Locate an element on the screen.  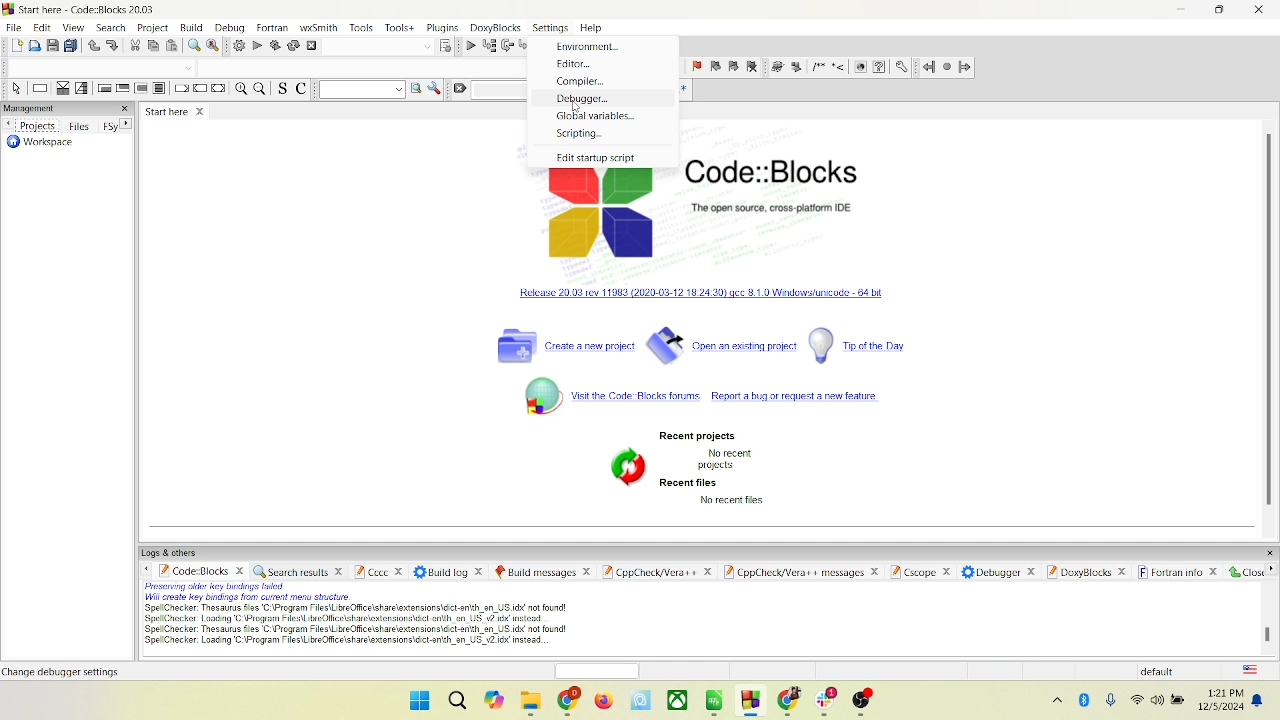
tools is located at coordinates (363, 29).